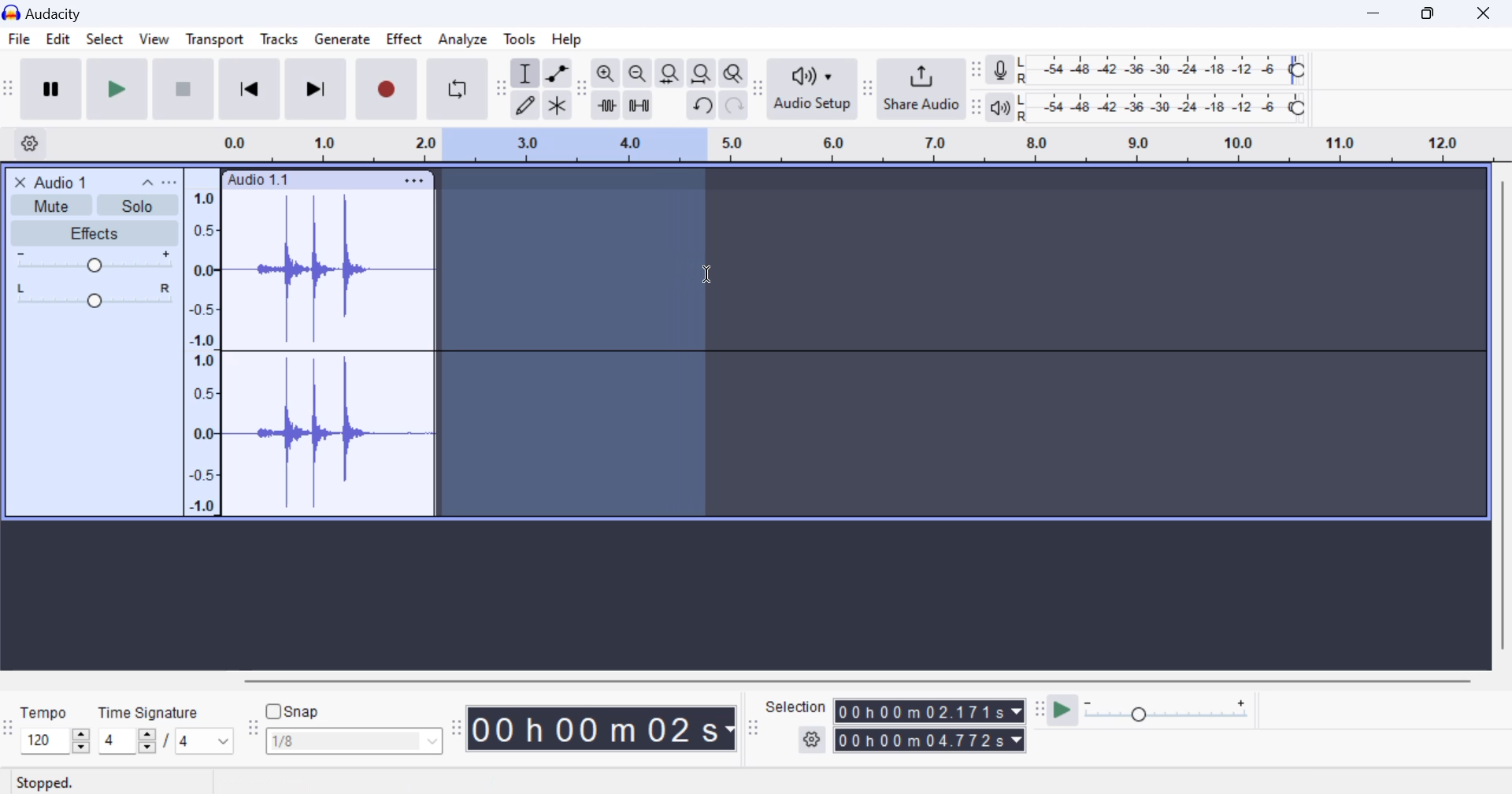  I want to click on Effect, so click(405, 42).